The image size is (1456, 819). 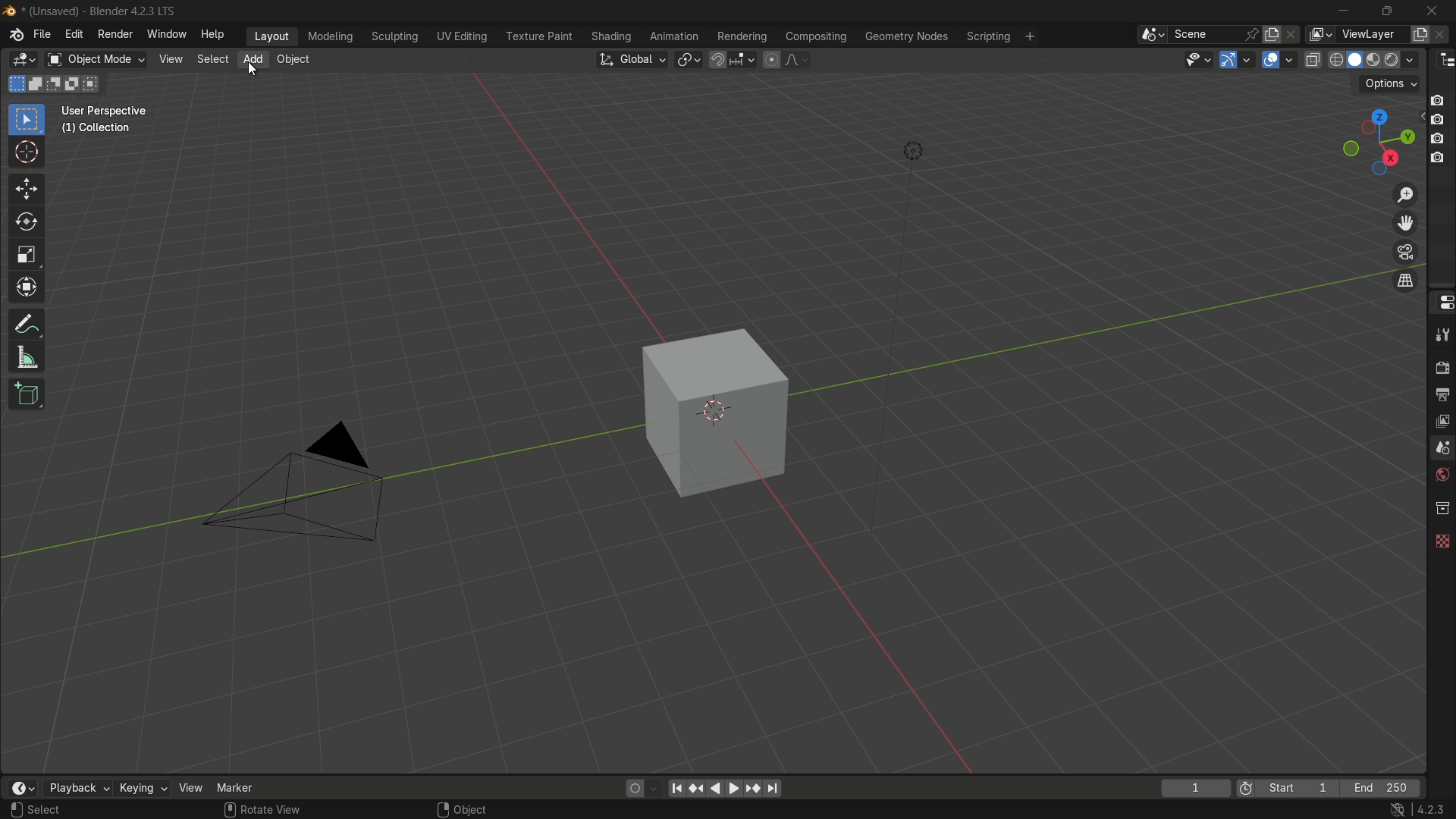 What do you see at coordinates (742, 37) in the screenshot?
I see `rendering menu` at bounding box center [742, 37].